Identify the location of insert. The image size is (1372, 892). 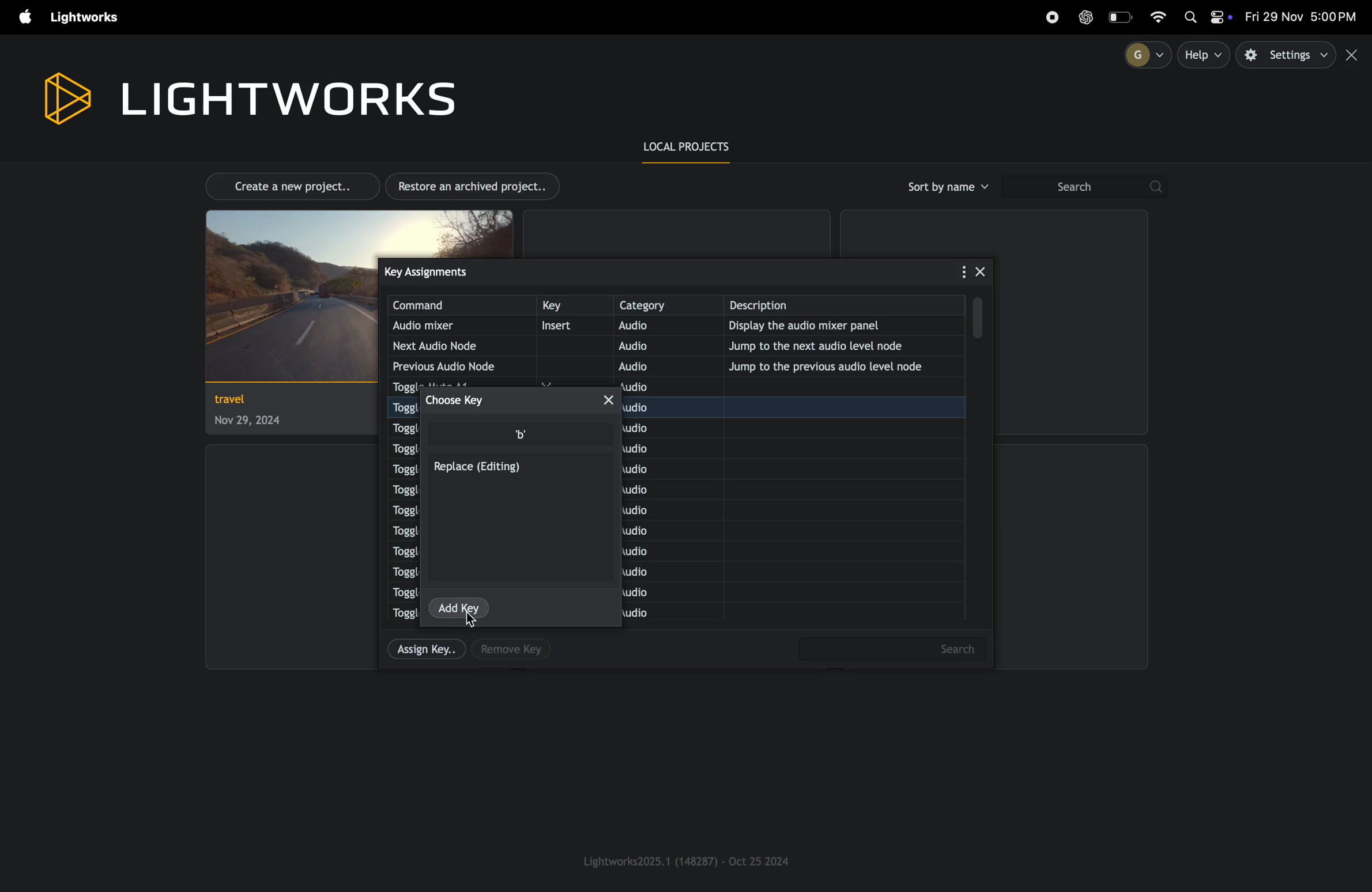
(568, 326).